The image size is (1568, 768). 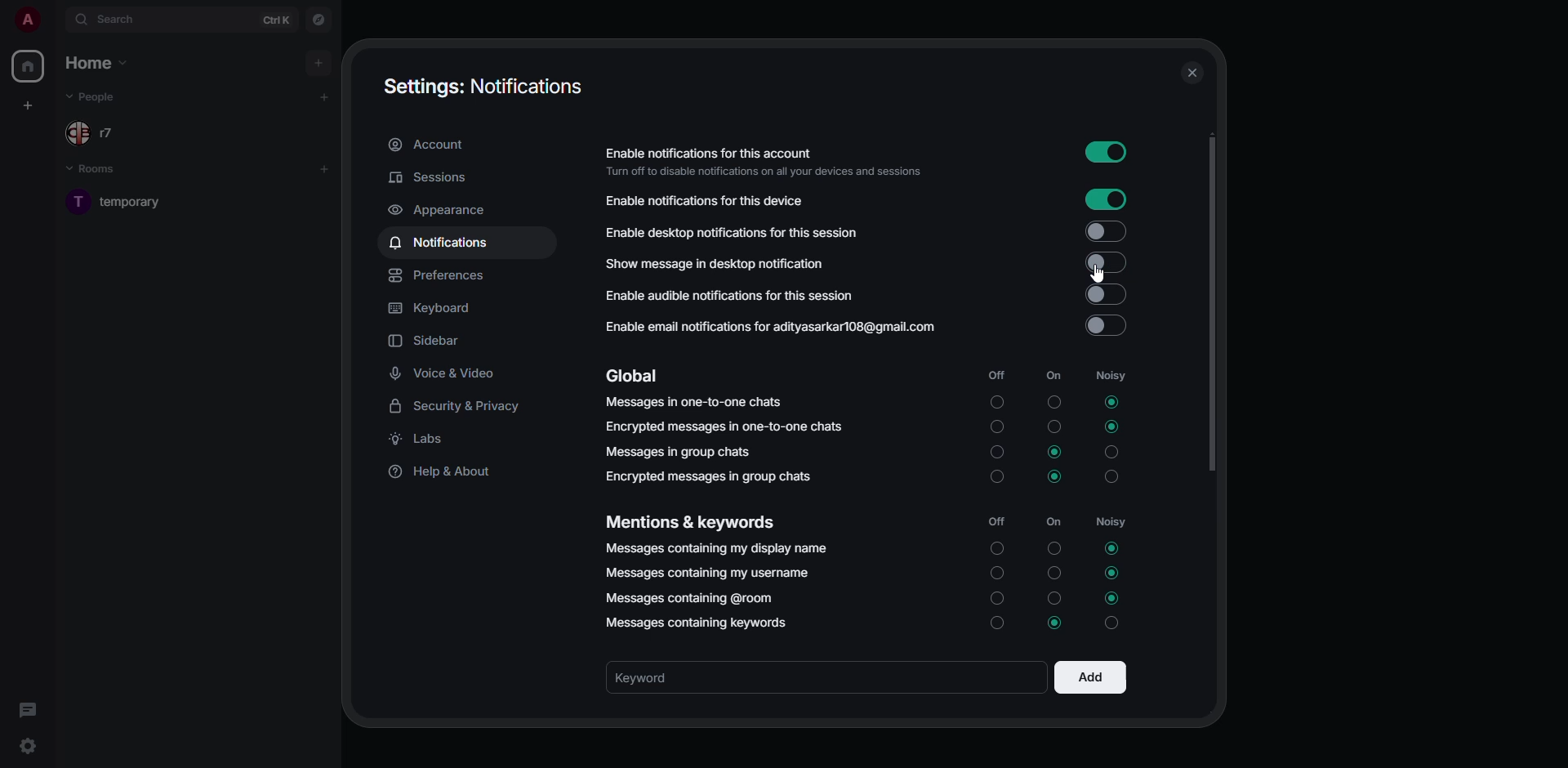 What do you see at coordinates (998, 597) in the screenshot?
I see `Off Unselected` at bounding box center [998, 597].